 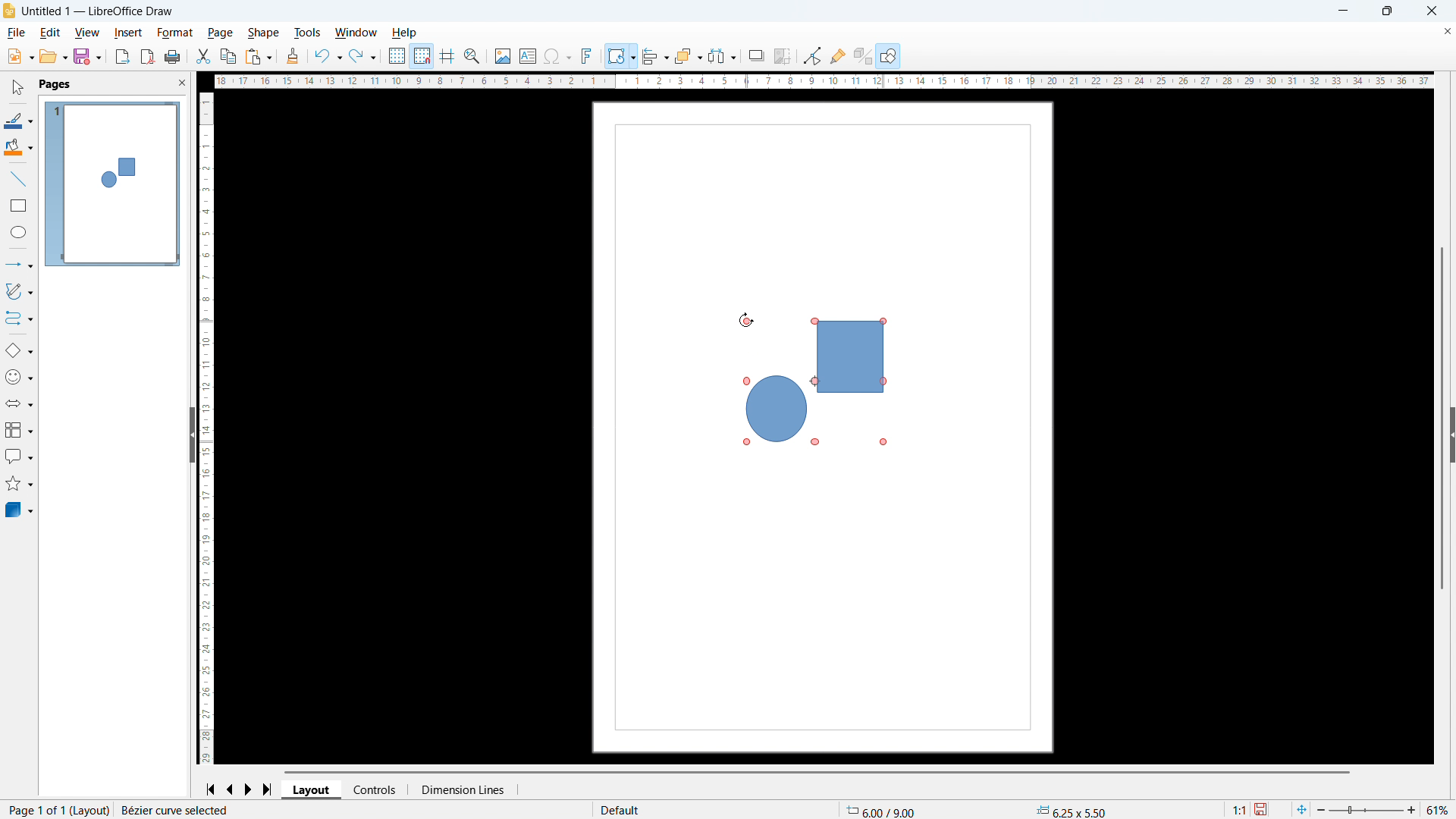 What do you see at coordinates (250, 789) in the screenshot?
I see `Next page ` at bounding box center [250, 789].